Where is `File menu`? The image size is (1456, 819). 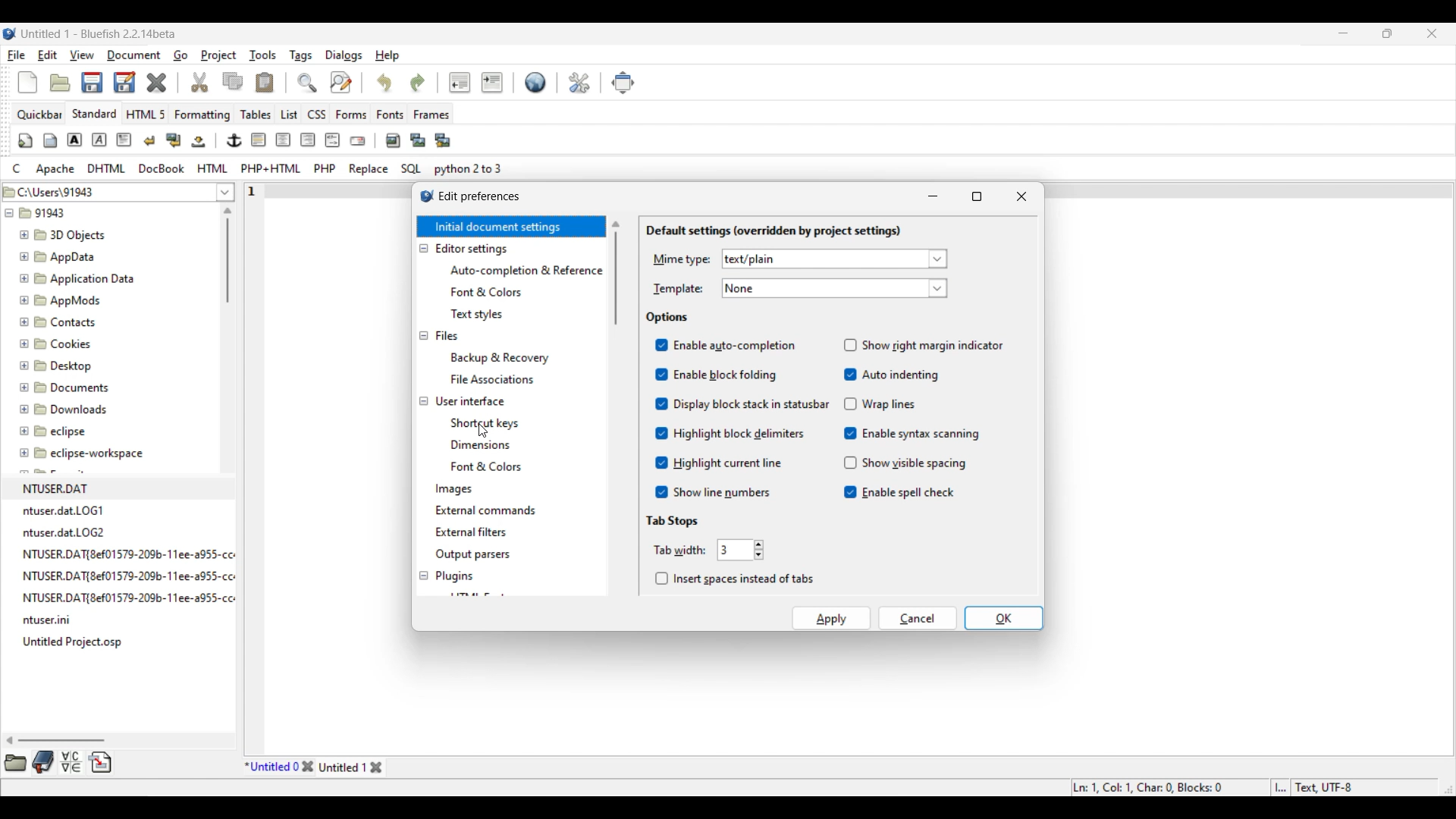 File menu is located at coordinates (17, 55).